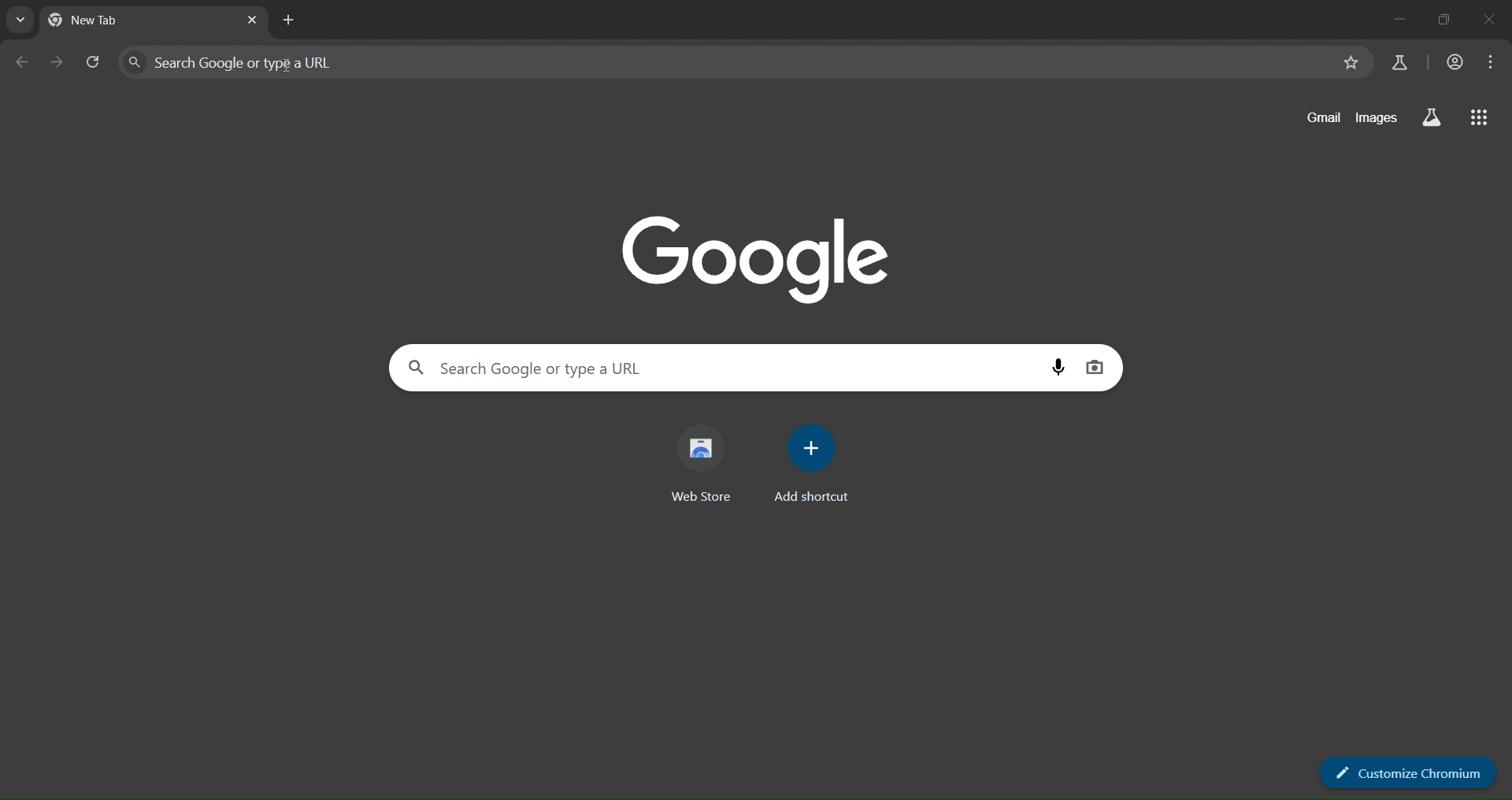 The width and height of the screenshot is (1512, 800). Describe the element at coordinates (706, 464) in the screenshot. I see `web store` at that location.